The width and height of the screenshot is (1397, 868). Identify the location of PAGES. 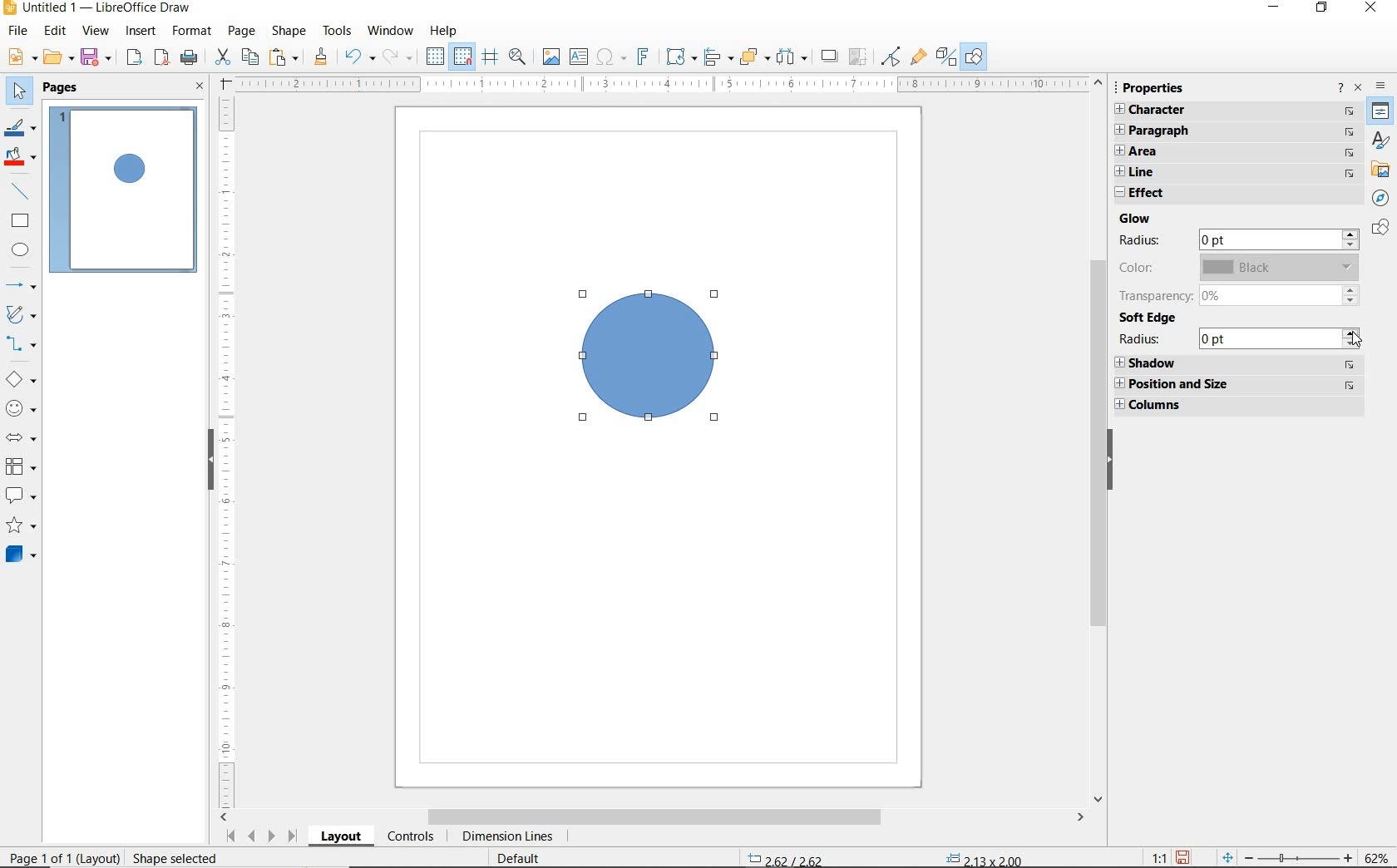
(62, 89).